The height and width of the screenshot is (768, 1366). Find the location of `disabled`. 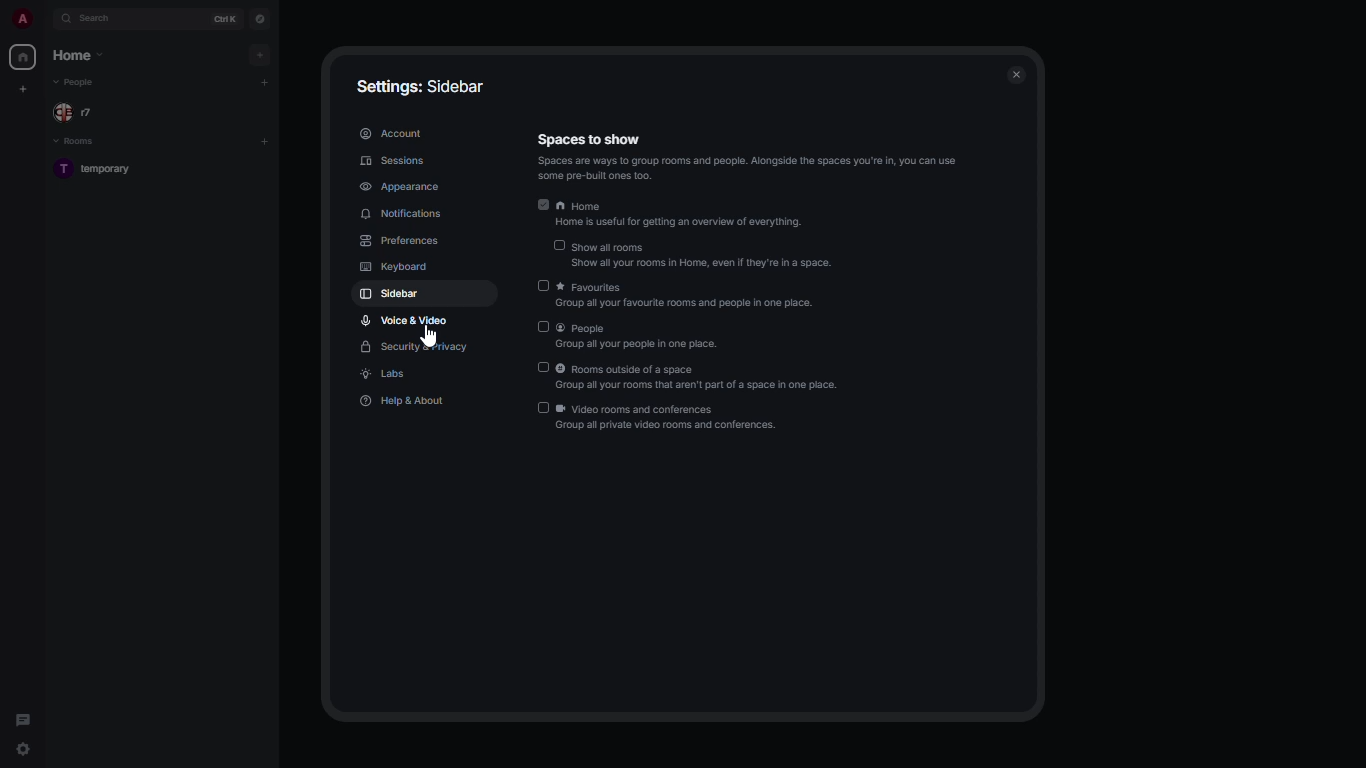

disabled is located at coordinates (542, 407).